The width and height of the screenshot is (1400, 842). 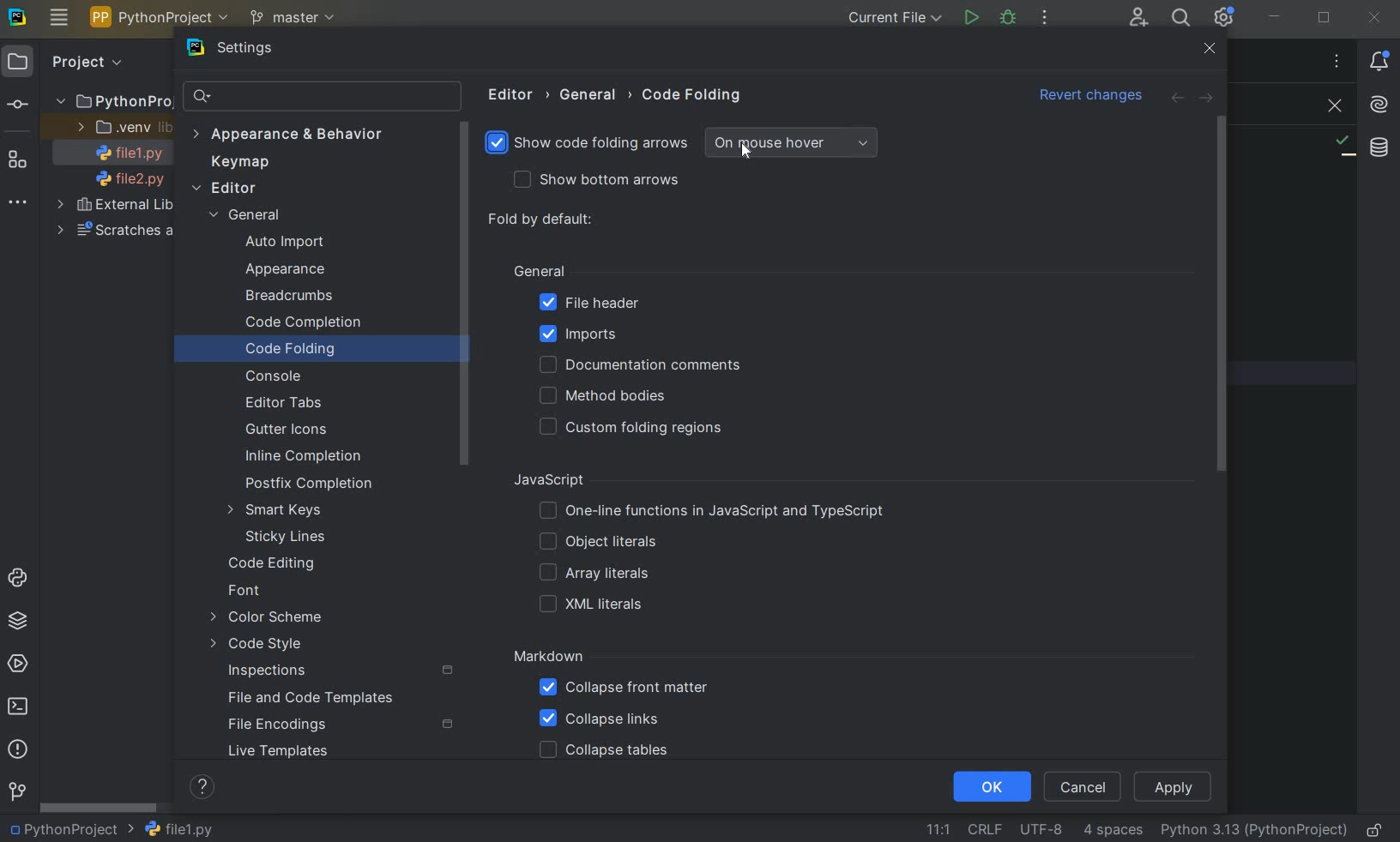 What do you see at coordinates (301, 271) in the screenshot?
I see `APPEARANCE` at bounding box center [301, 271].